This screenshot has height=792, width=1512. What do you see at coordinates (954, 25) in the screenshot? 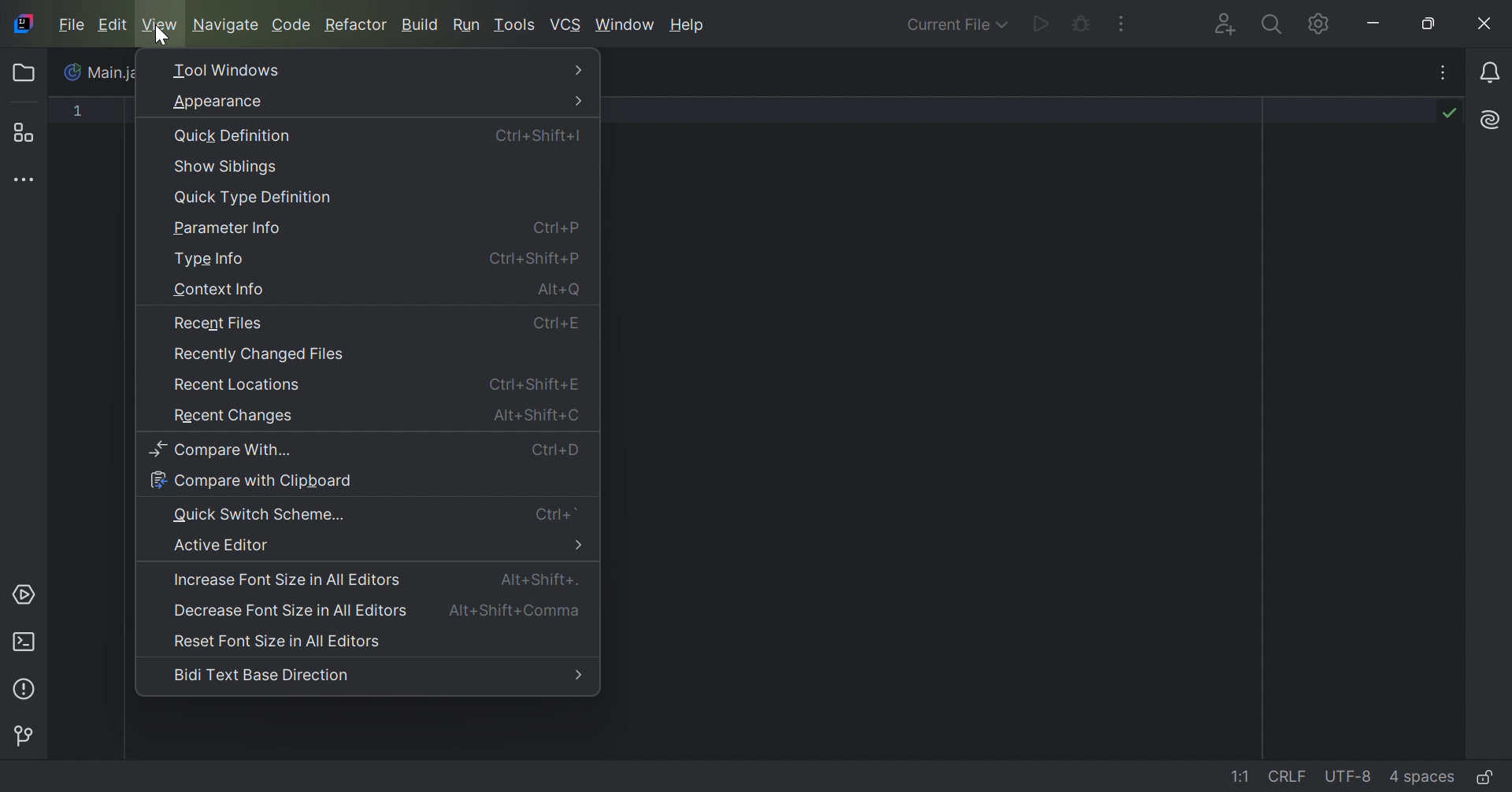
I see `Current File` at bounding box center [954, 25].